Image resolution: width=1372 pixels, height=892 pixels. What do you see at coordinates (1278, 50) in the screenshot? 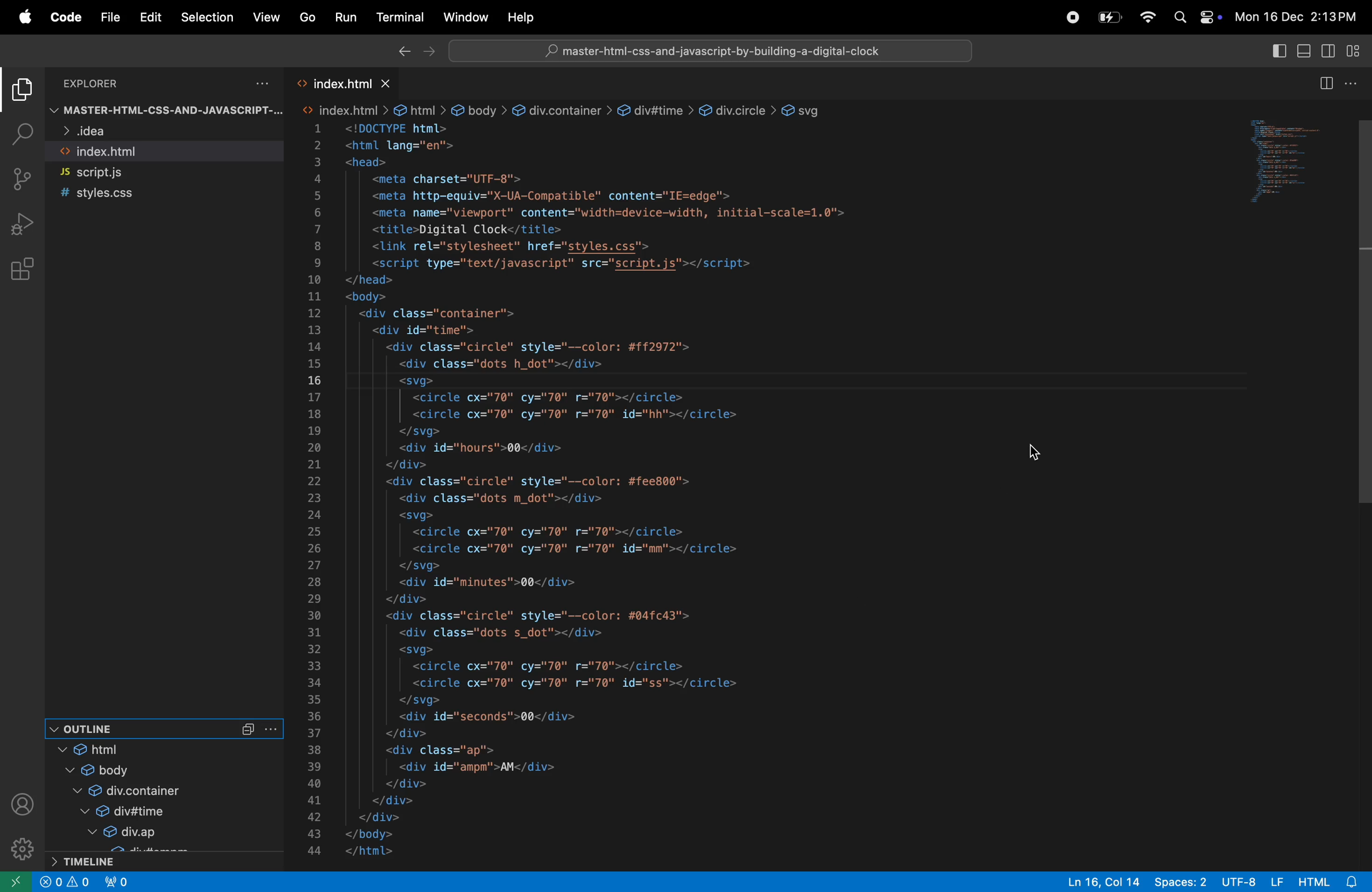
I see `toggle primary side bar` at bounding box center [1278, 50].